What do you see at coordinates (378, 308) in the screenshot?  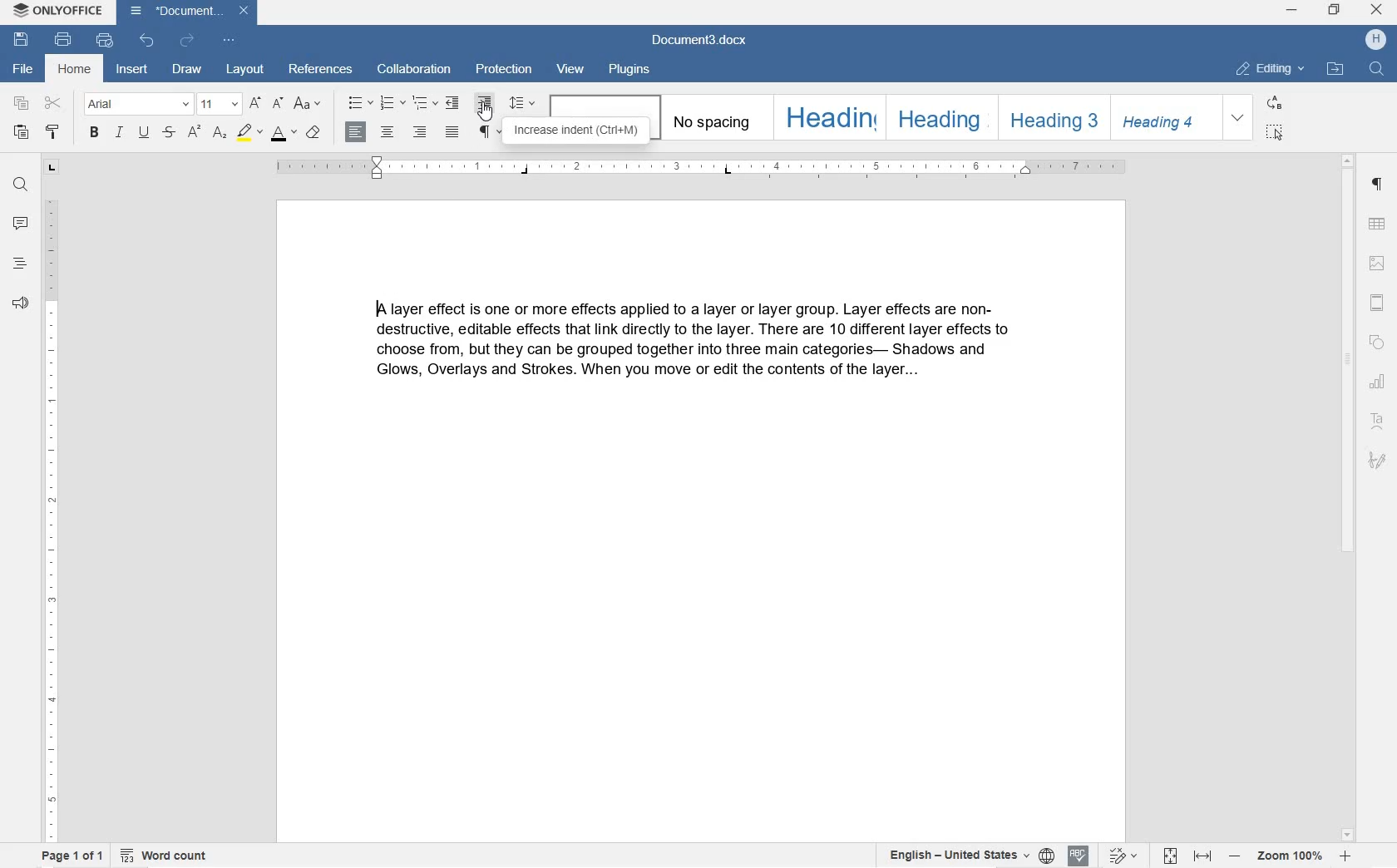 I see `TEXT EDITOR POSITION` at bounding box center [378, 308].